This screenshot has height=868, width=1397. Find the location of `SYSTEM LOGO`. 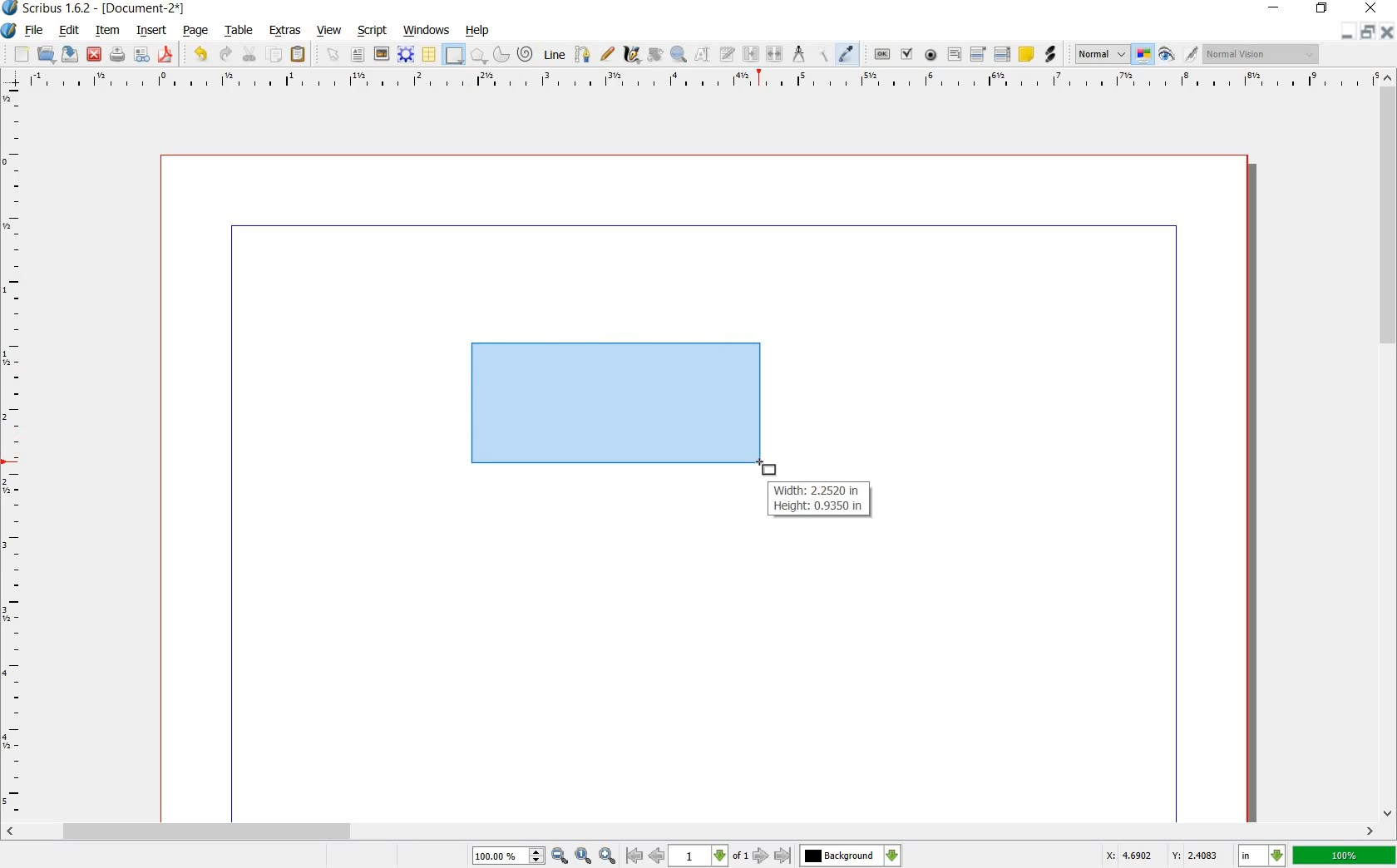

SYSTEM LOGO is located at coordinates (10, 29).